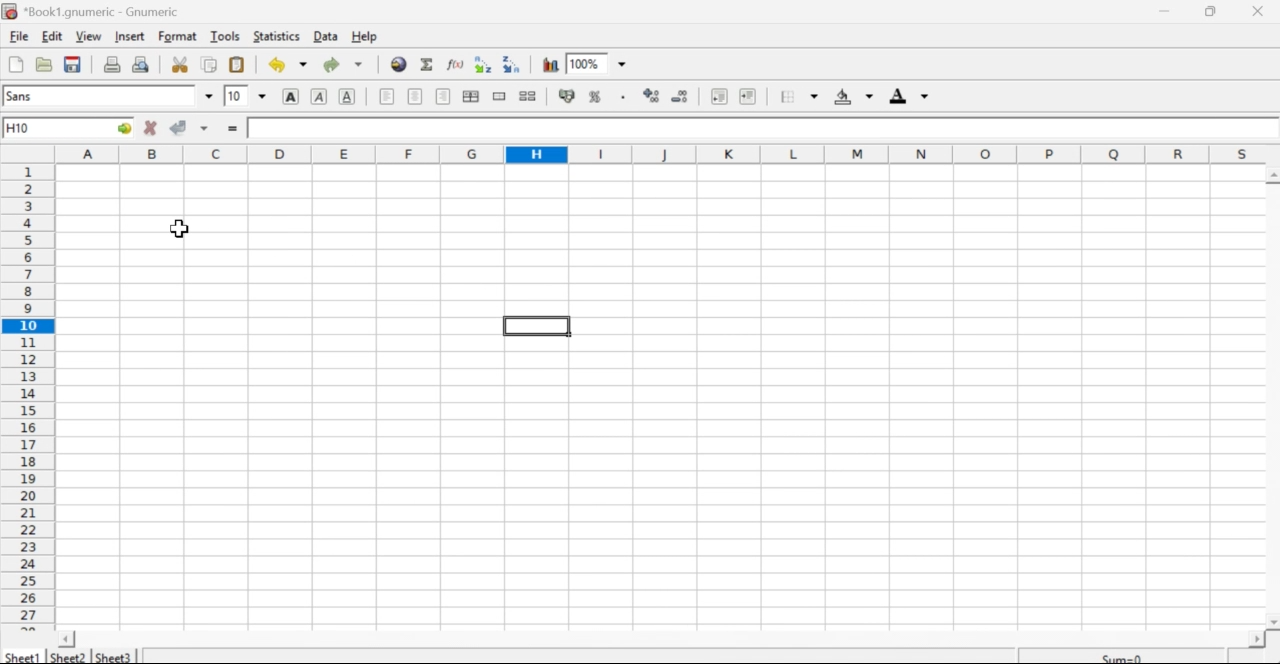 The image size is (1280, 664). What do you see at coordinates (142, 63) in the screenshot?
I see `Preview file` at bounding box center [142, 63].